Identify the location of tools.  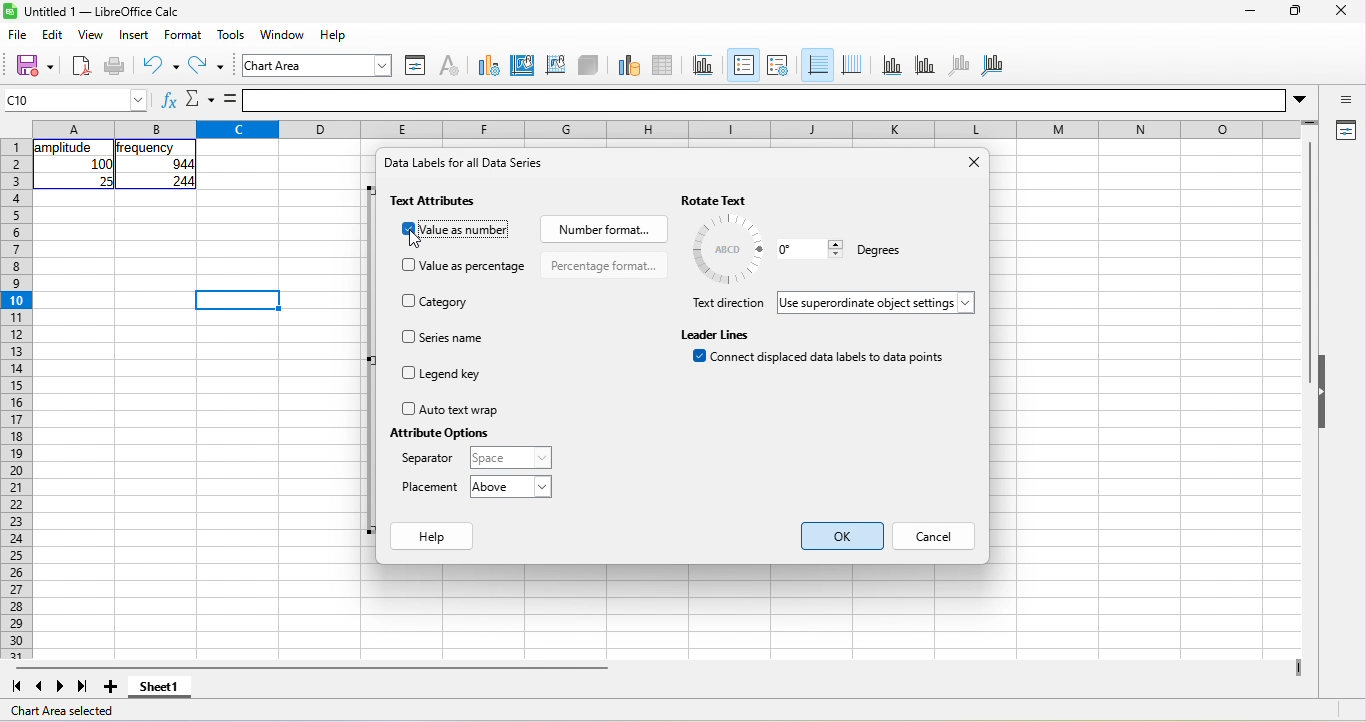
(231, 35).